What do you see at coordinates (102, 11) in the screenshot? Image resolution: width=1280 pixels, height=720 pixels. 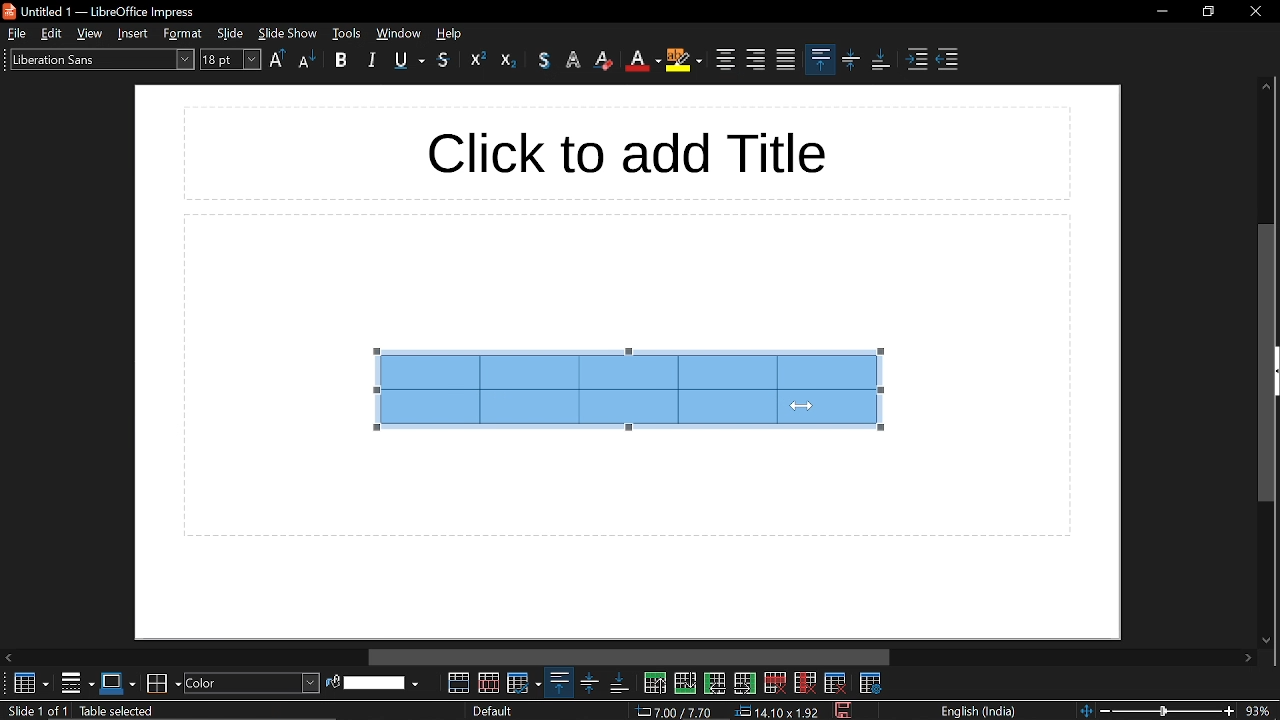 I see `untitled 1 - libreoffice impress` at bounding box center [102, 11].